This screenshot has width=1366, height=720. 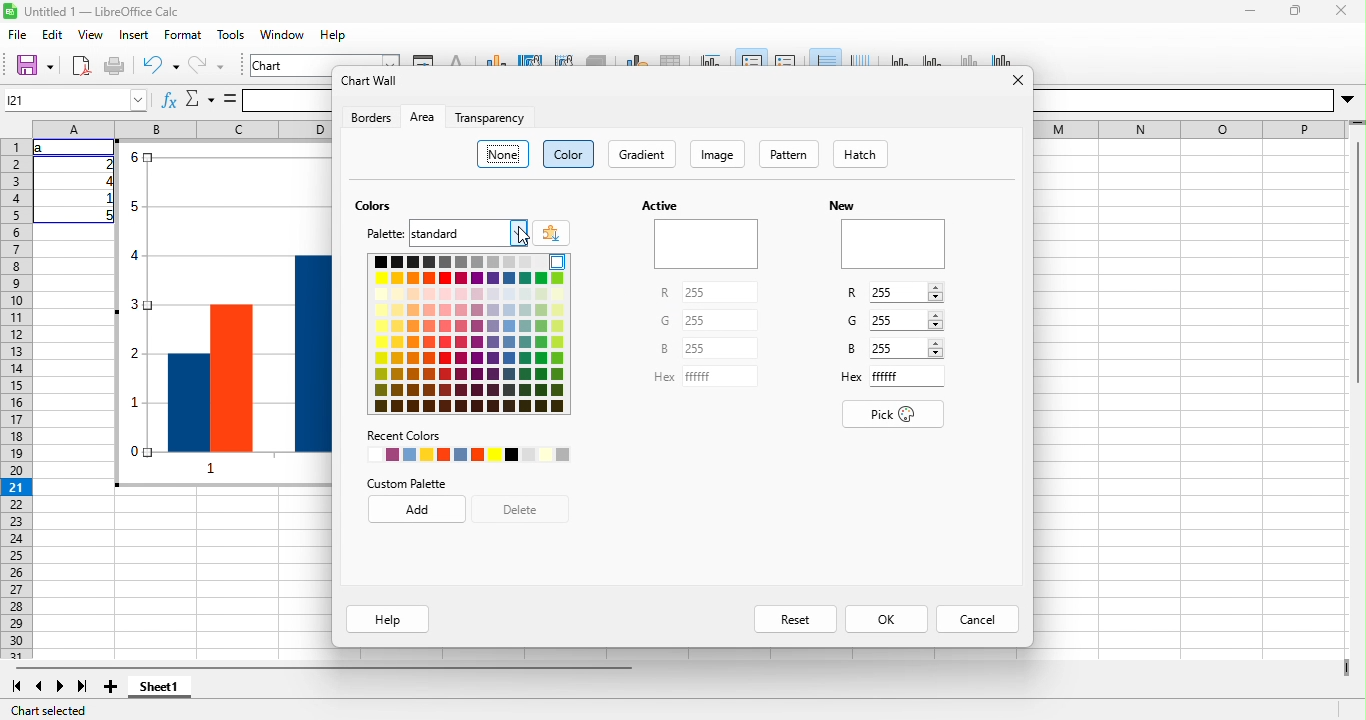 What do you see at coordinates (664, 377) in the screenshot?
I see `Hex` at bounding box center [664, 377].